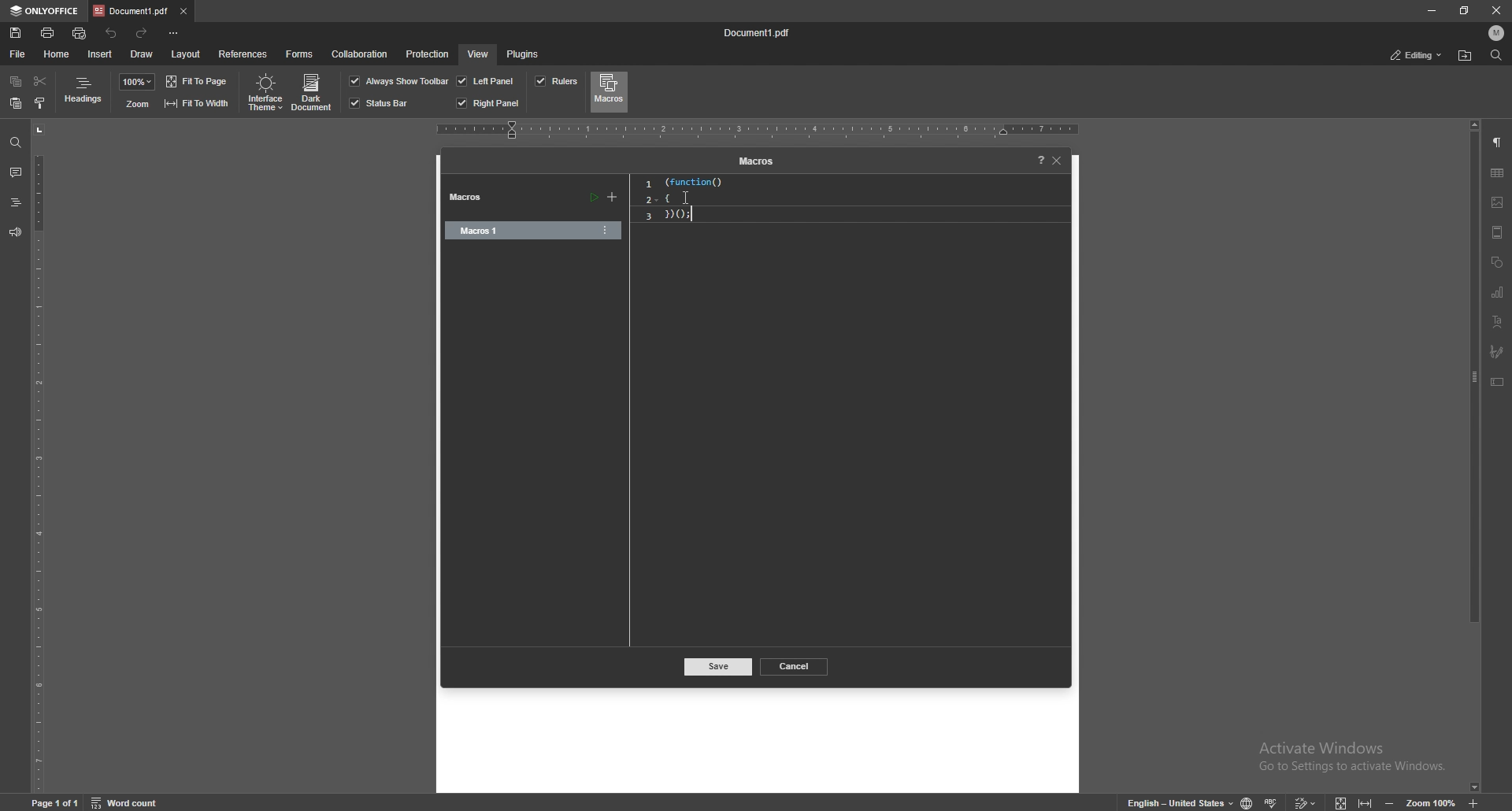 The height and width of the screenshot is (811, 1512). Describe the element at coordinates (136, 104) in the screenshot. I see `zoom` at that location.